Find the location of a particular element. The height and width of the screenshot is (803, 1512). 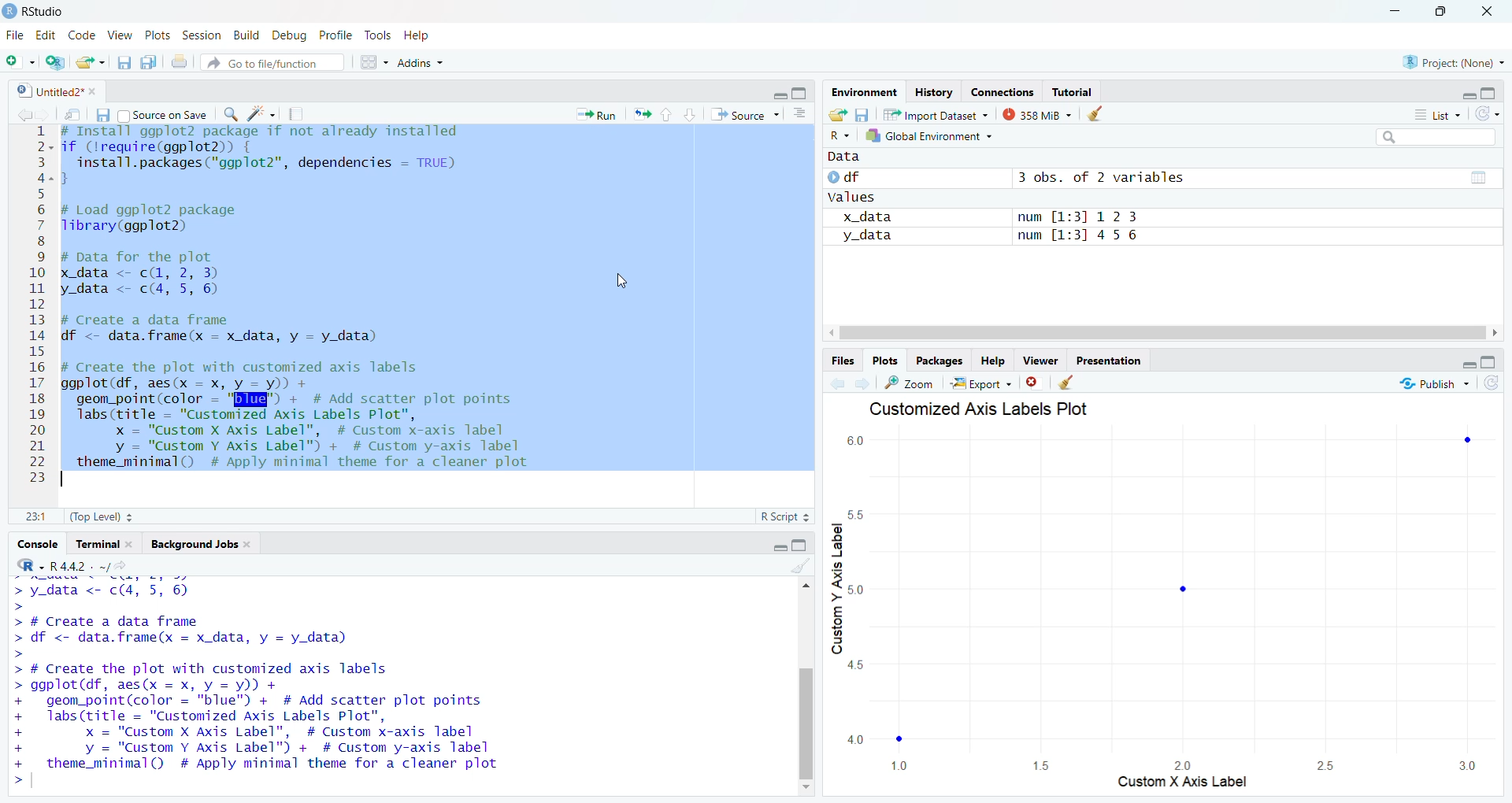

maximise is located at coordinates (799, 94).